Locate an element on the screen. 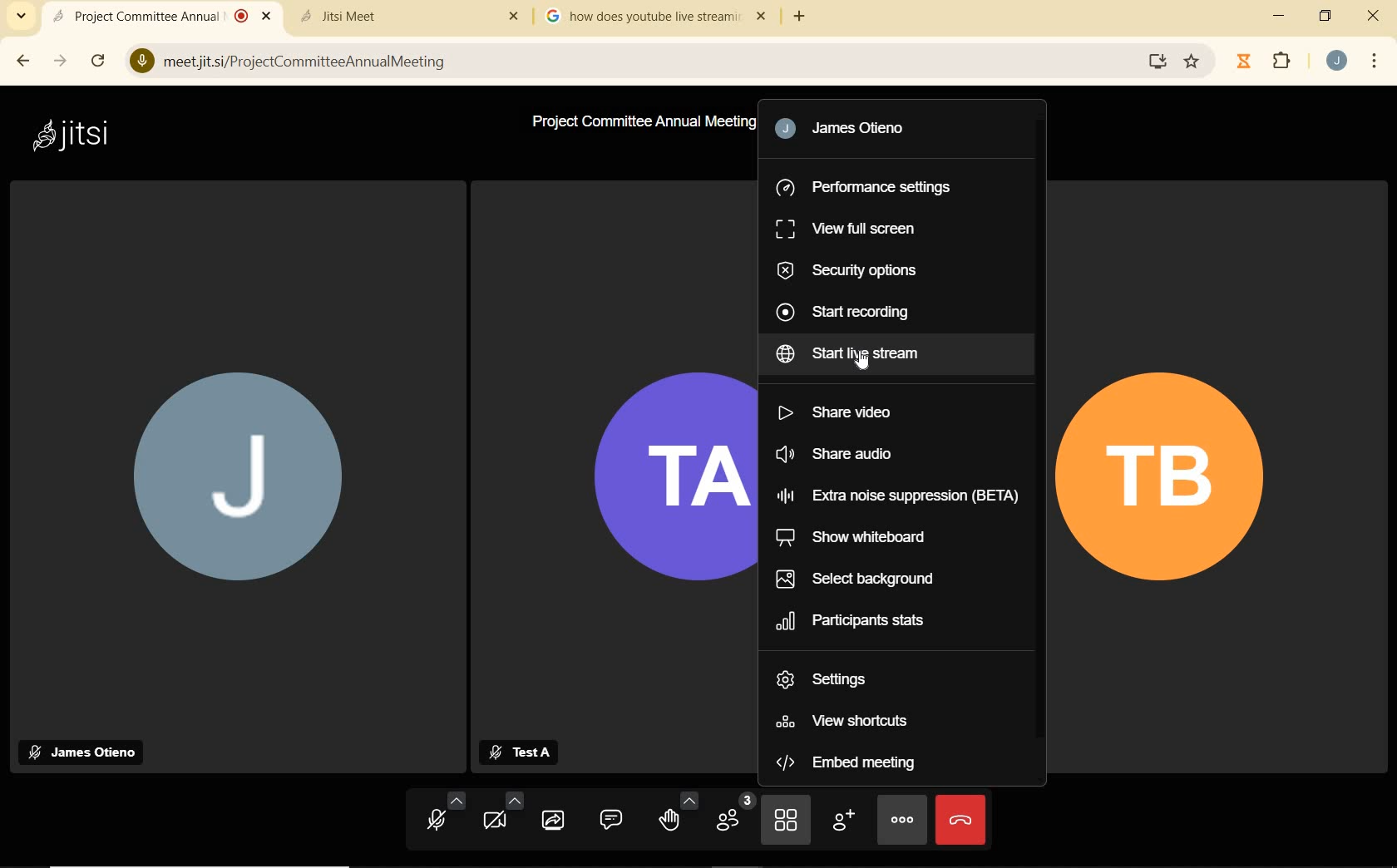 This screenshot has height=868, width=1397. add tab is located at coordinates (805, 17).